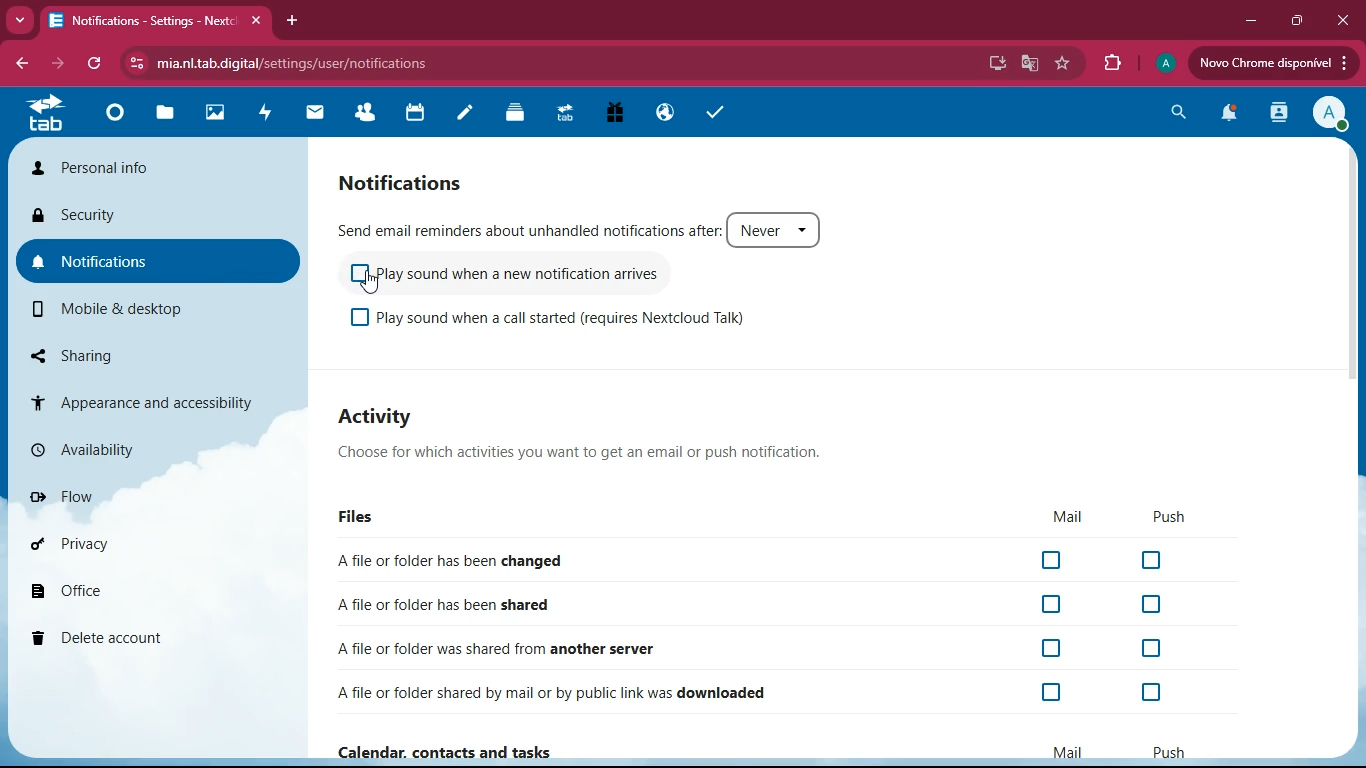 Image resolution: width=1366 pixels, height=768 pixels. Describe the element at coordinates (406, 419) in the screenshot. I see `activity` at that location.